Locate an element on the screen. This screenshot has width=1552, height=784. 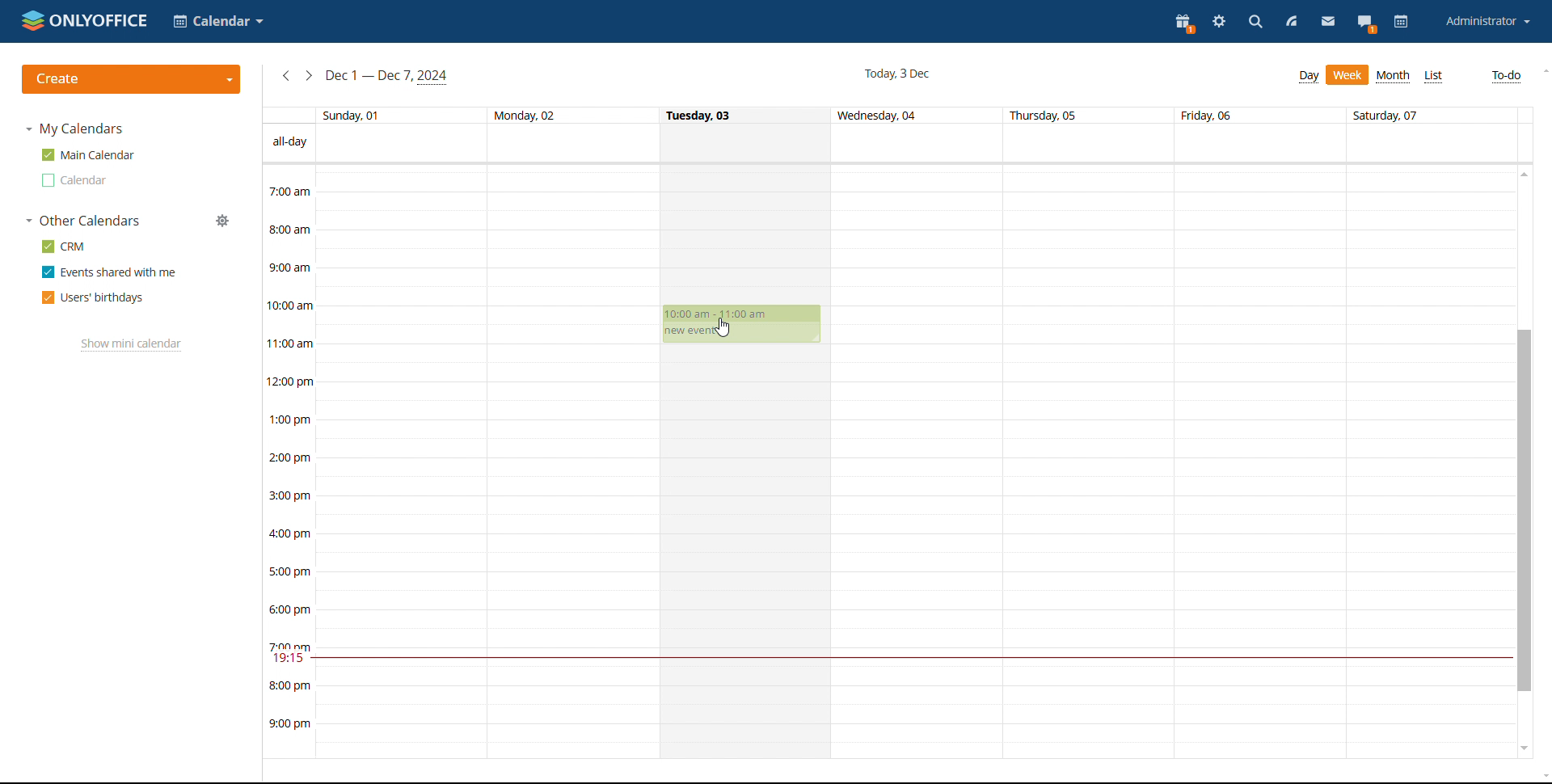
8:00 am is located at coordinates (289, 228).